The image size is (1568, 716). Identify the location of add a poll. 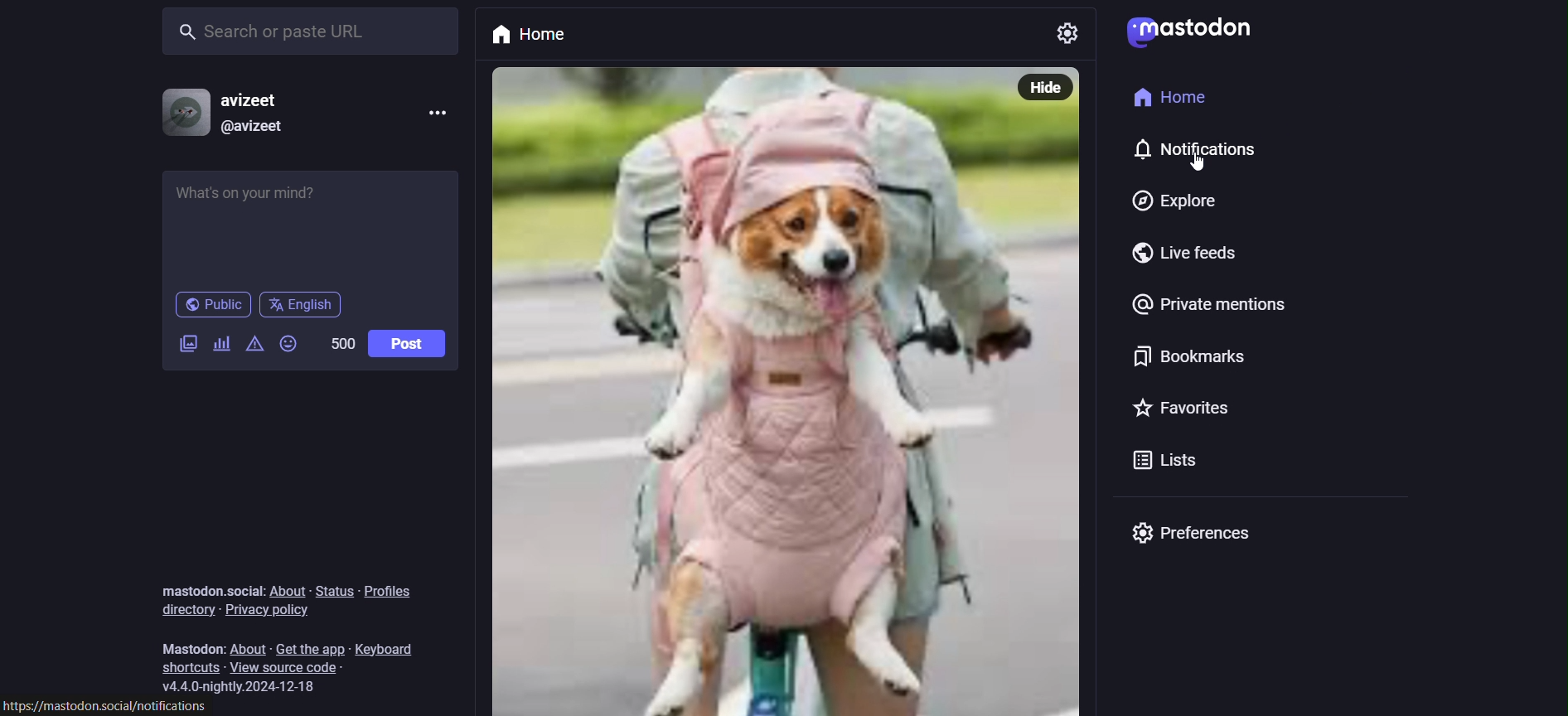
(221, 346).